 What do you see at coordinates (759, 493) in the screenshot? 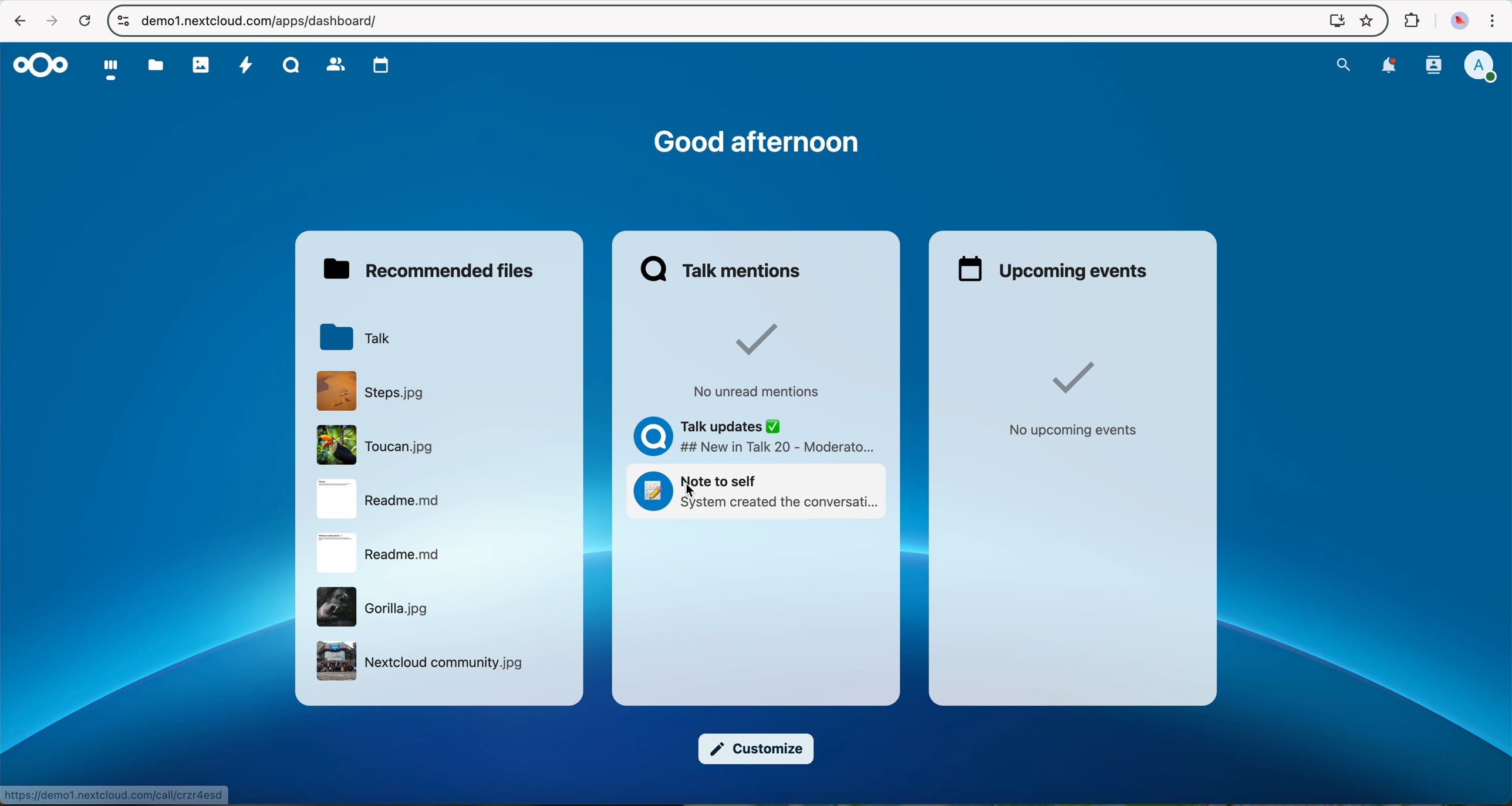
I see `click on note to self` at bounding box center [759, 493].